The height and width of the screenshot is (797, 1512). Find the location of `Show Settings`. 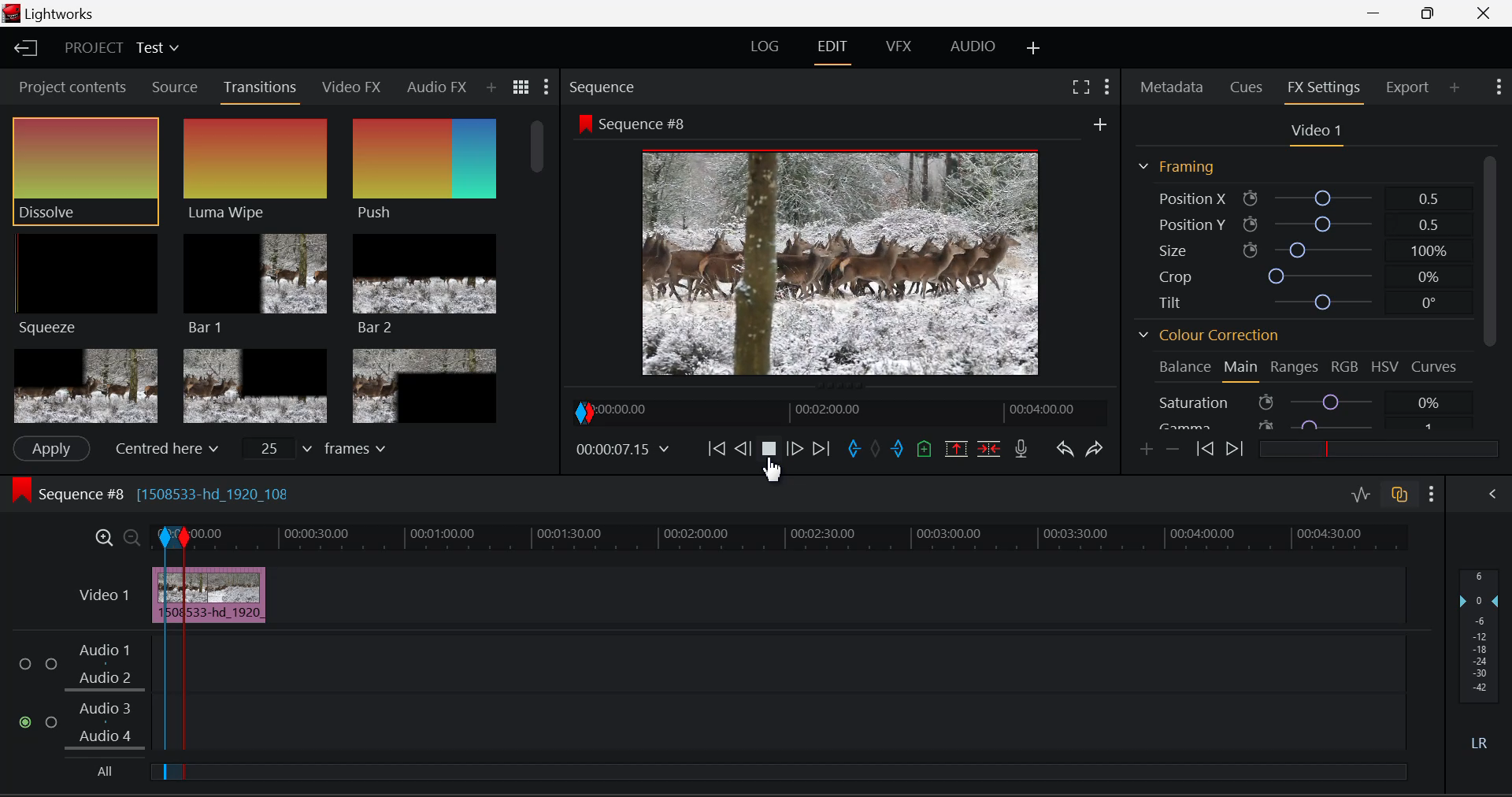

Show Settings is located at coordinates (1499, 87).